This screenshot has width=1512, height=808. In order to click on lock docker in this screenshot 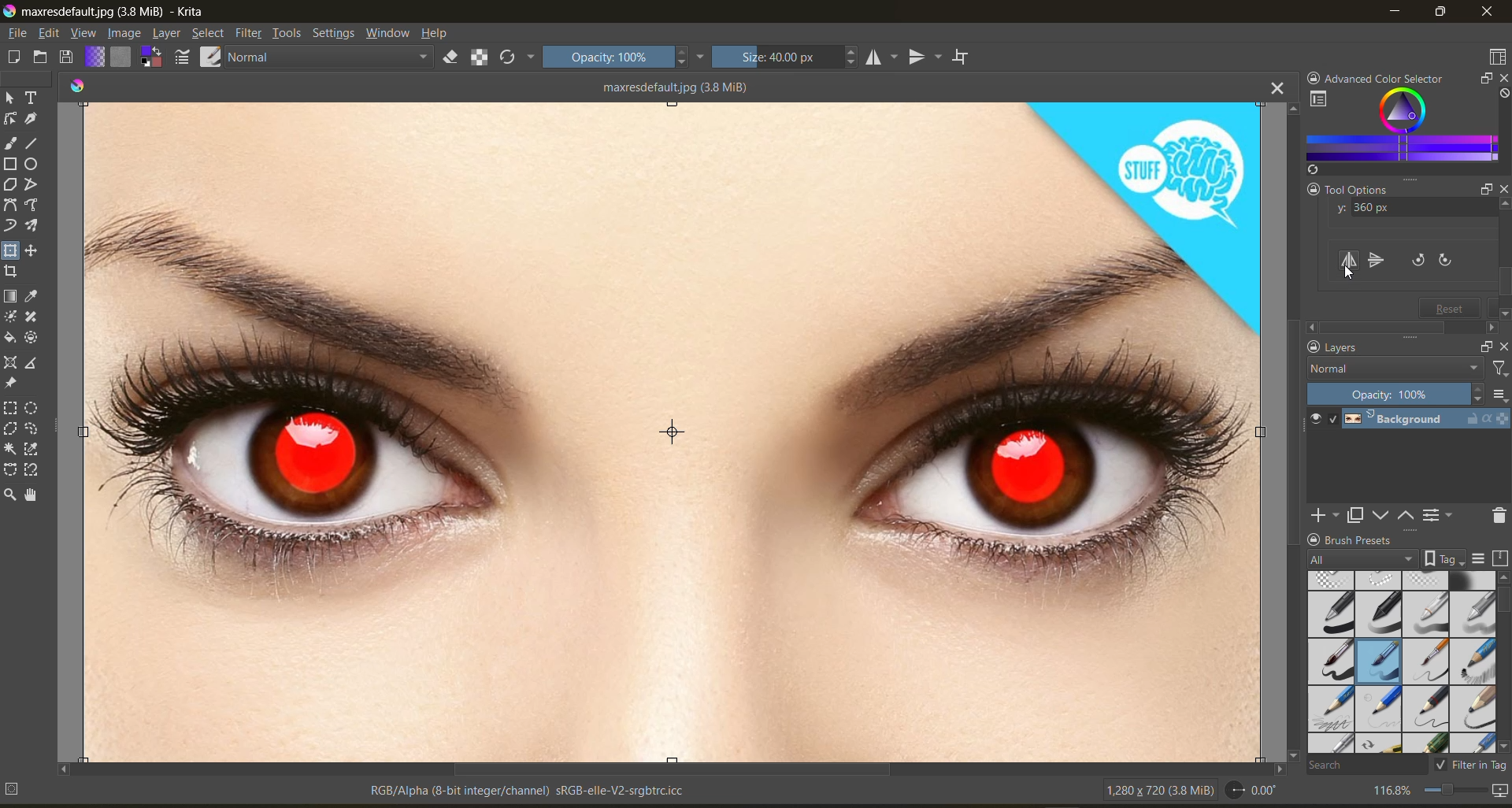, I will do `click(1312, 347)`.